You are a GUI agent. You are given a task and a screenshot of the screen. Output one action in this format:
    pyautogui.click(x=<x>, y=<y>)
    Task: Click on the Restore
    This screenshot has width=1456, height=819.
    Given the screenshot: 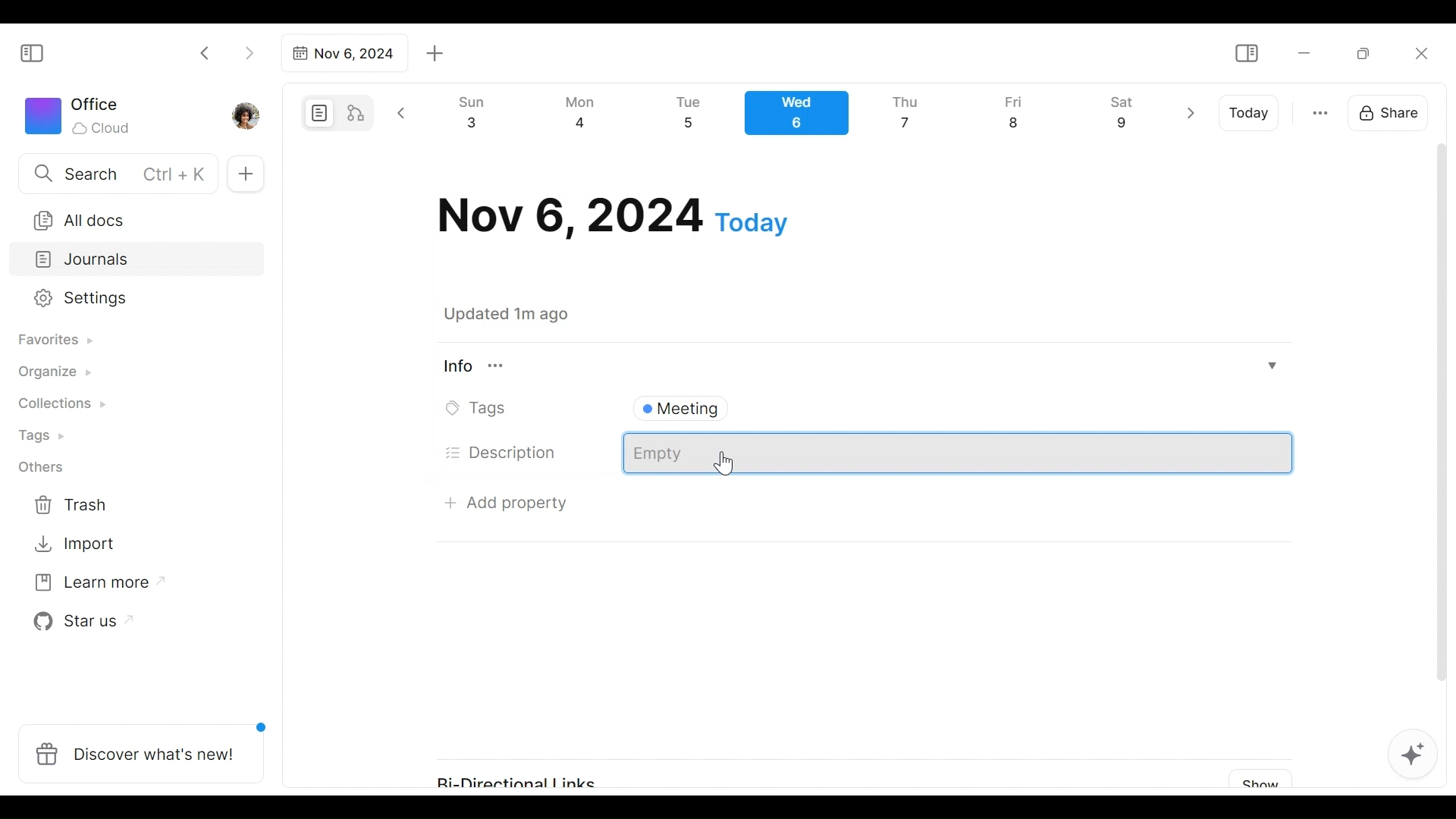 What is the action you would take?
    pyautogui.click(x=1369, y=52)
    